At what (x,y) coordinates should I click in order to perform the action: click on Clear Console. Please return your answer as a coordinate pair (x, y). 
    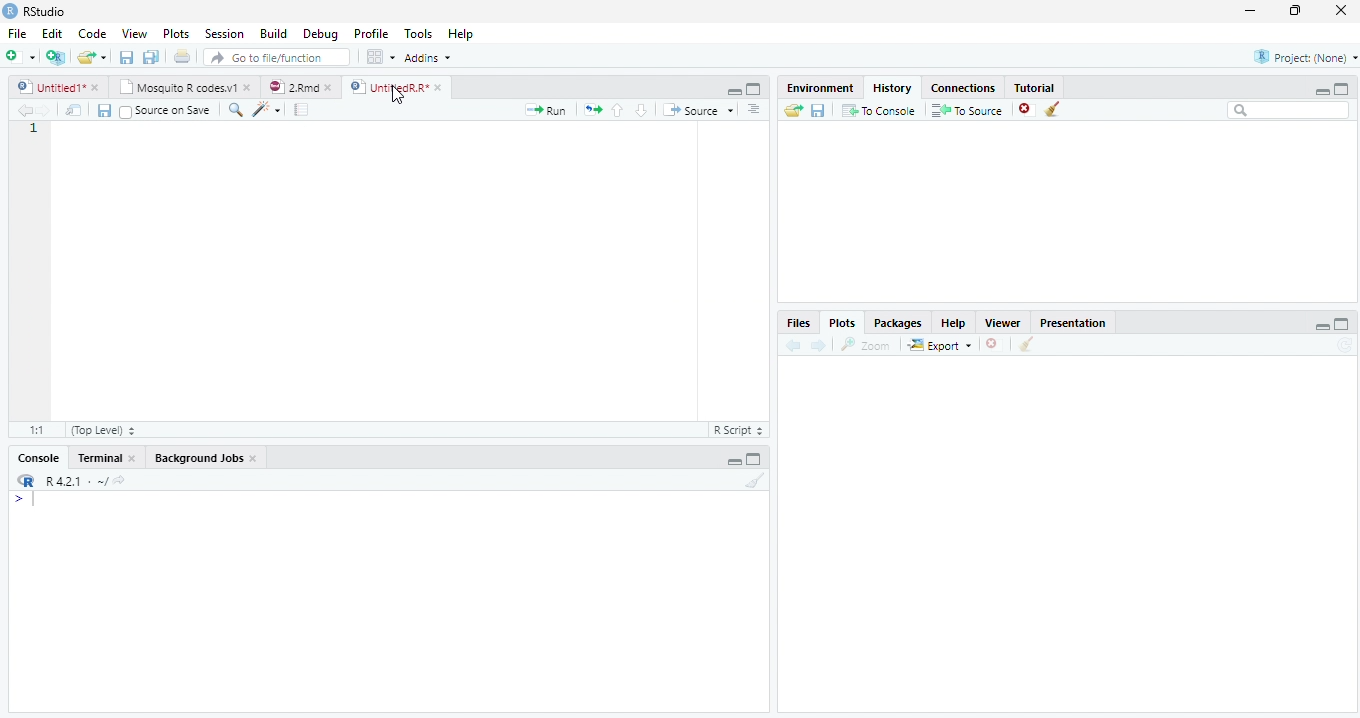
    Looking at the image, I should click on (1052, 108).